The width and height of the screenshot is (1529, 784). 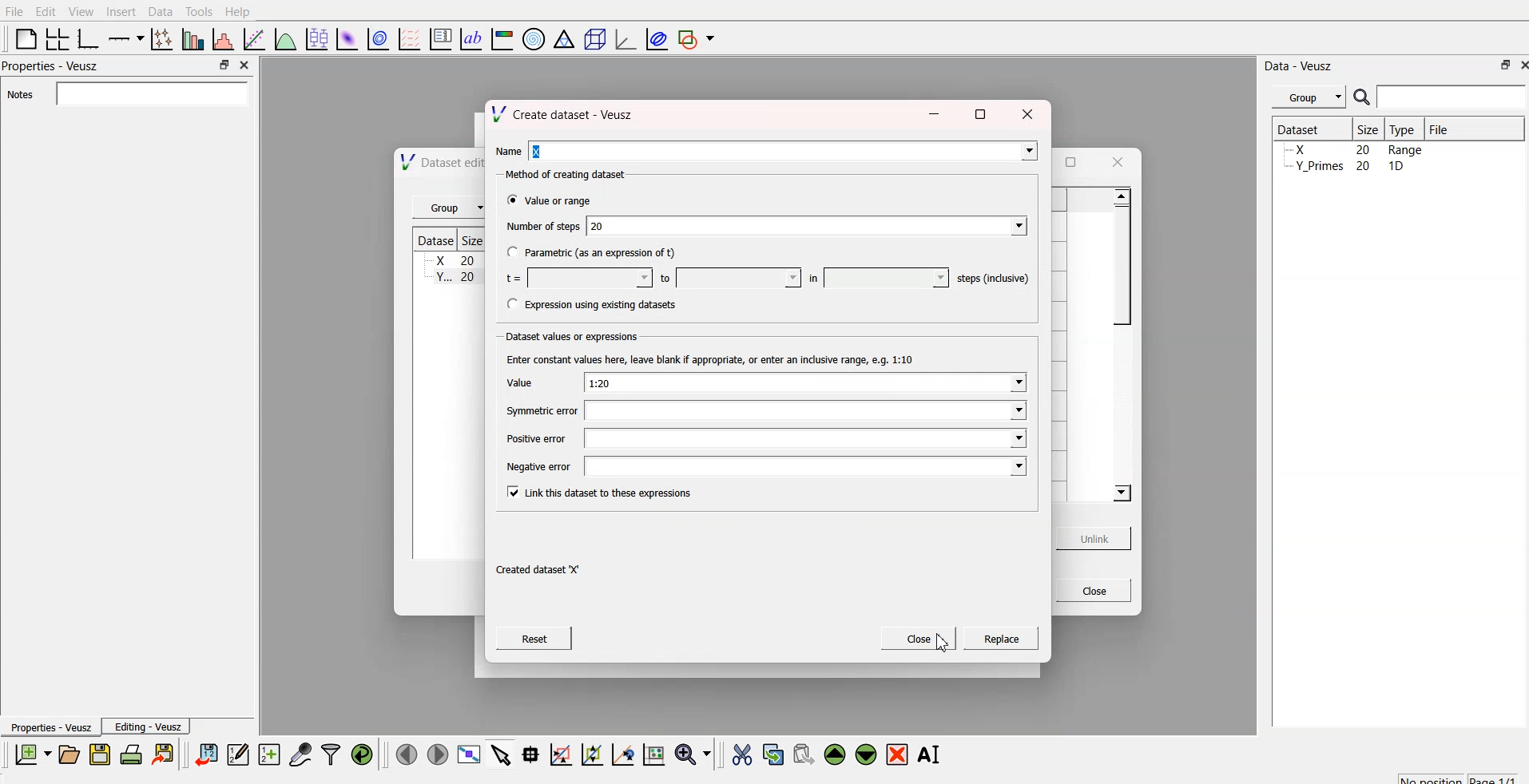 I want to click on unlink, so click(x=1091, y=540).